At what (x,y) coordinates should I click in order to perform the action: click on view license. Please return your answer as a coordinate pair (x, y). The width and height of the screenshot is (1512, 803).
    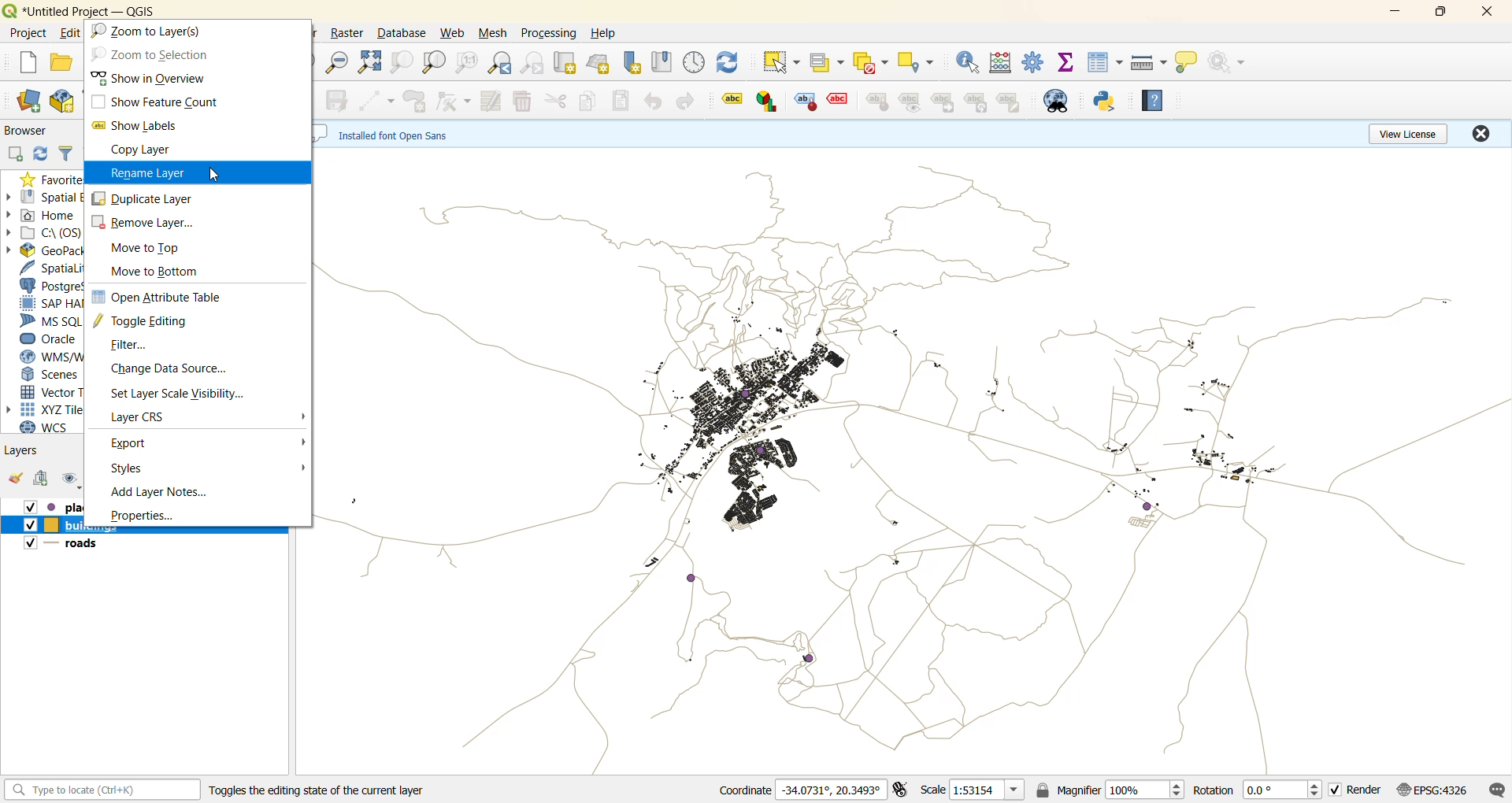
    Looking at the image, I should click on (1409, 132).